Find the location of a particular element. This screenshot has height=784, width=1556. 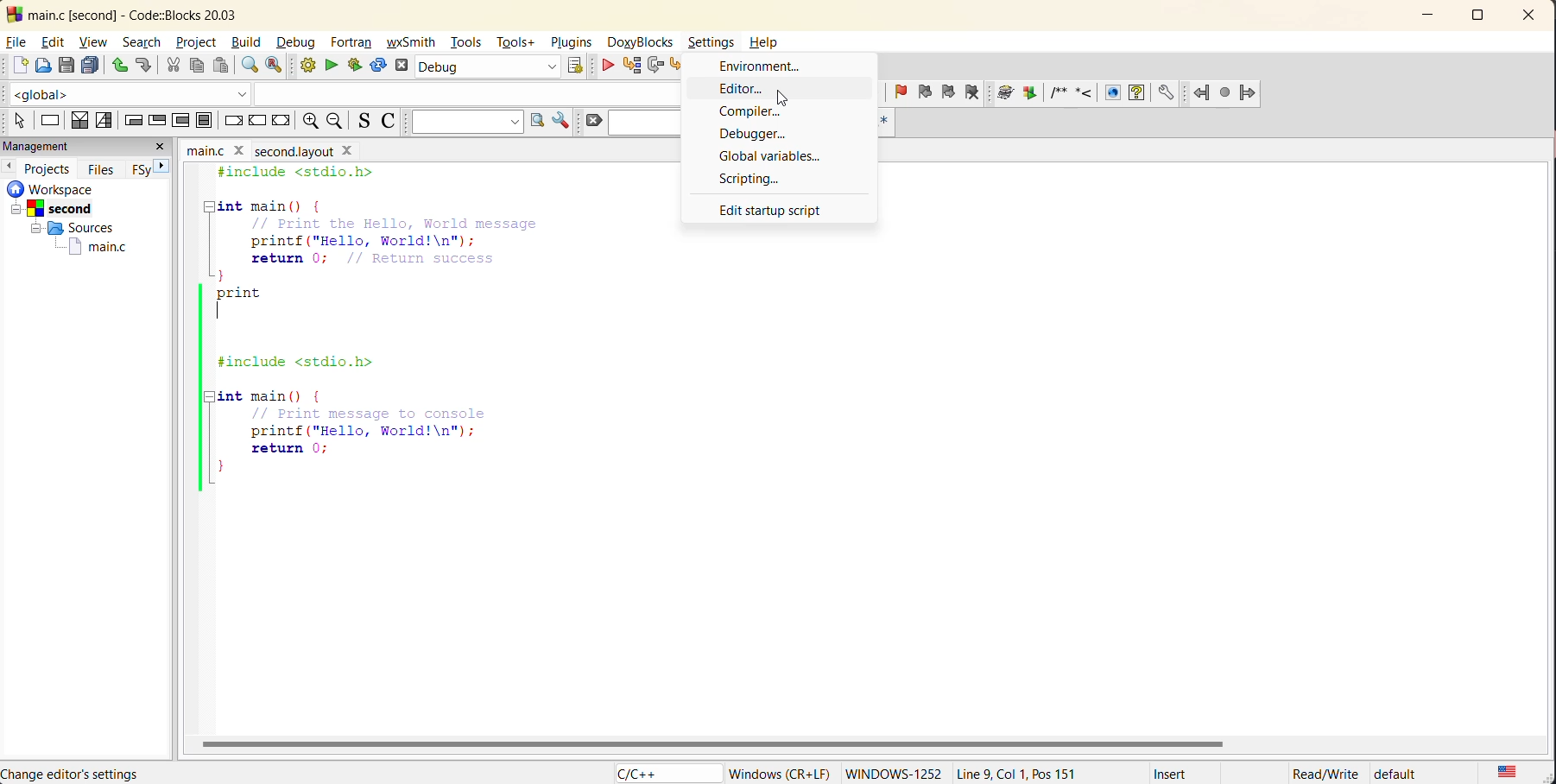

return instruction is located at coordinates (284, 122).